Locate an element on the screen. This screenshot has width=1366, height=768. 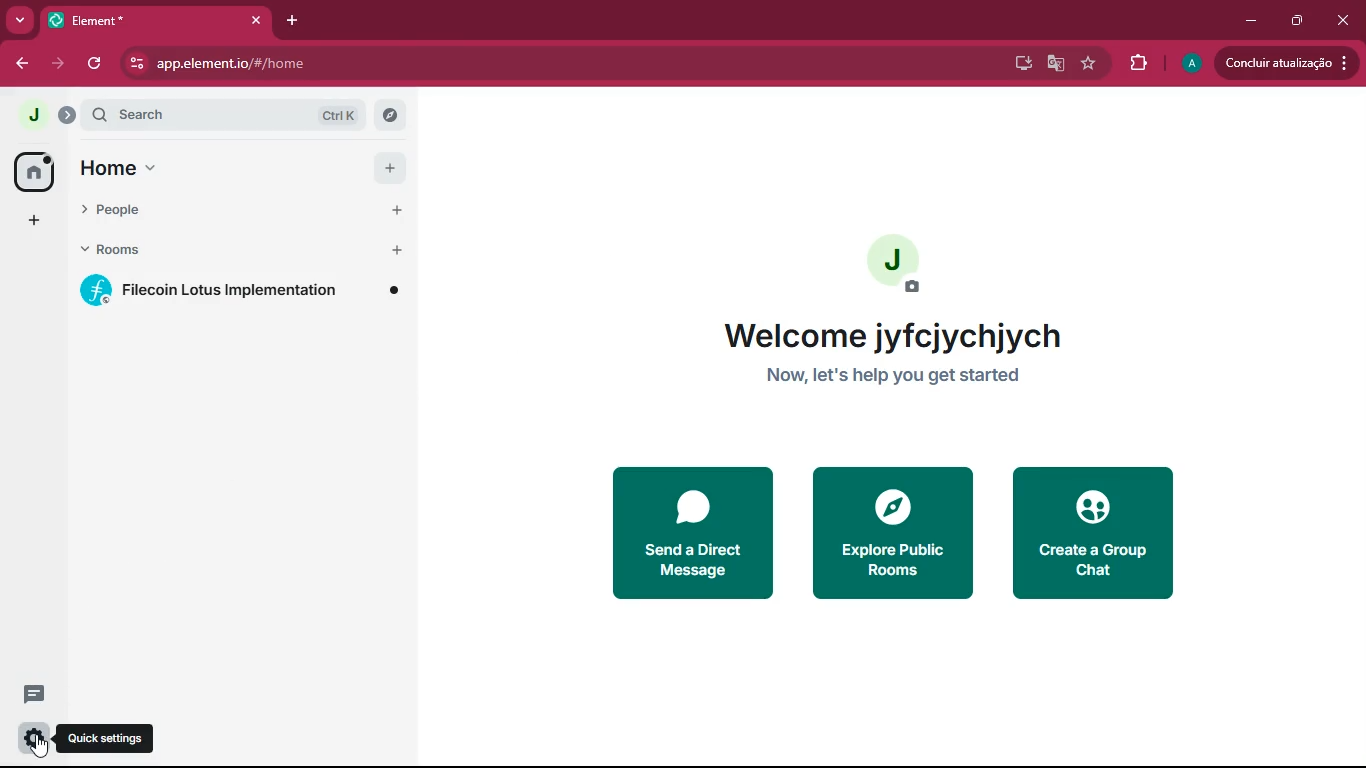
extensions is located at coordinates (1139, 64).